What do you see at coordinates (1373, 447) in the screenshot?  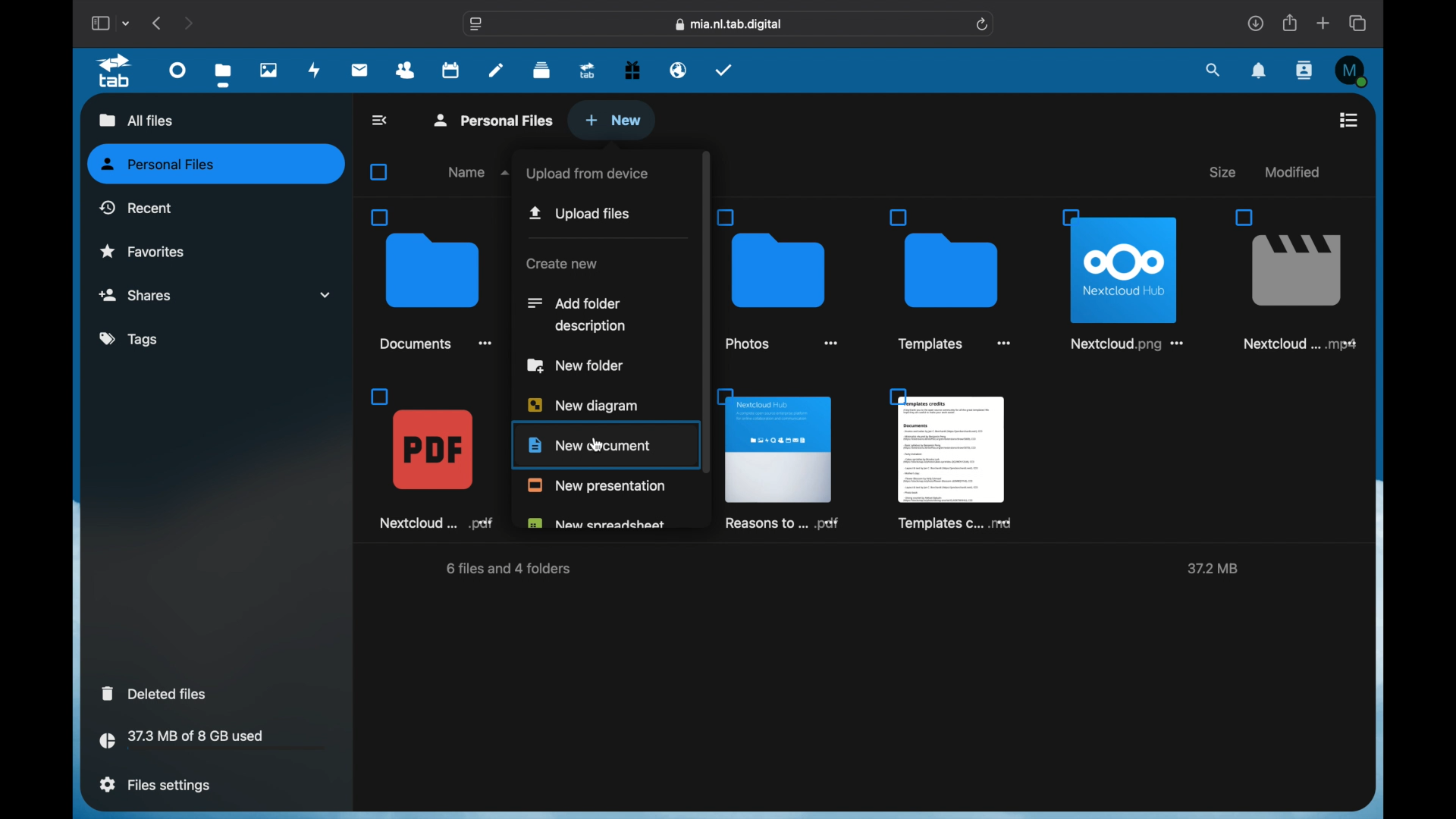 I see `scroll box` at bounding box center [1373, 447].